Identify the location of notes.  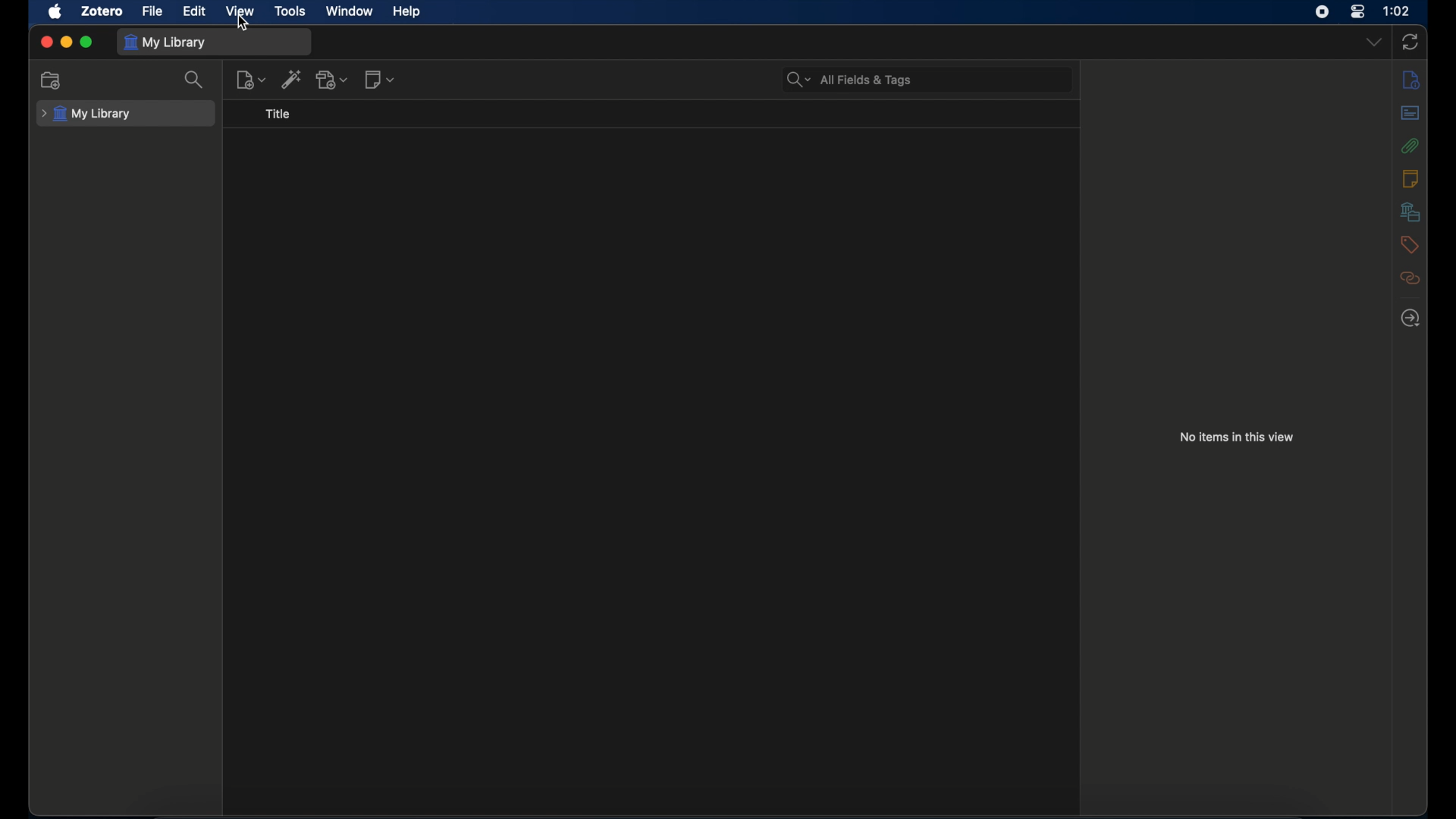
(1411, 177).